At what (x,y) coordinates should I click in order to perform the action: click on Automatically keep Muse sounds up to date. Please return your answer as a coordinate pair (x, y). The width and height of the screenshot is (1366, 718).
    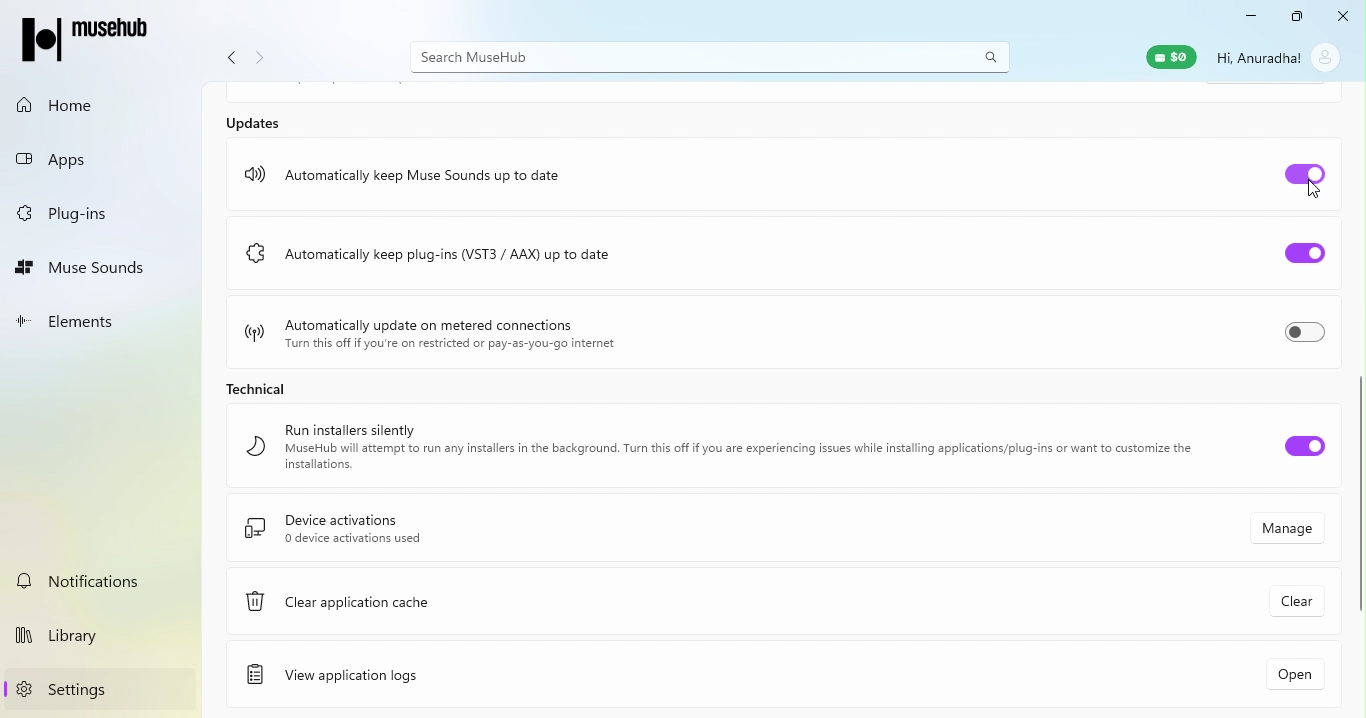
    Looking at the image, I should click on (406, 176).